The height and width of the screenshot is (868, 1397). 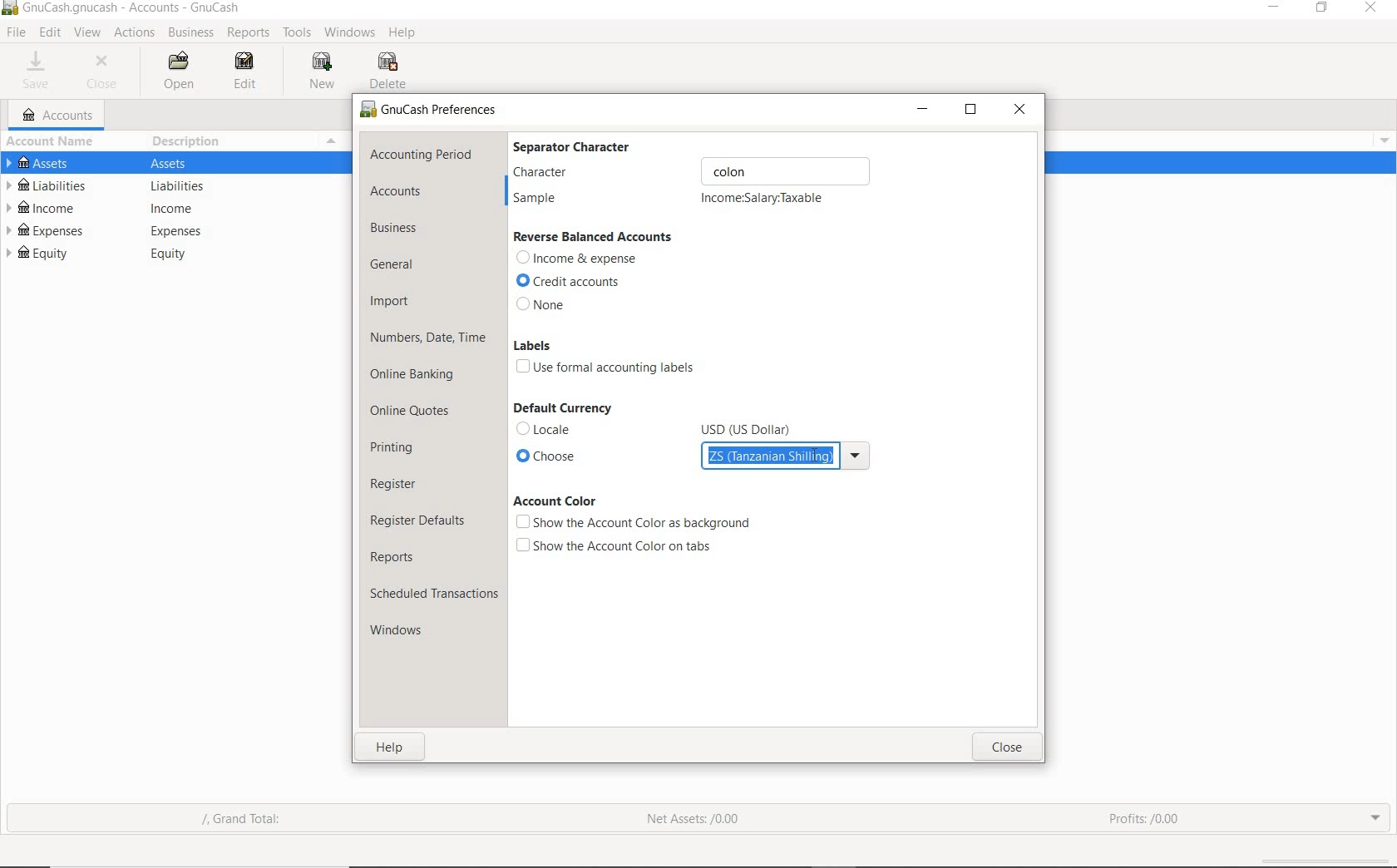 I want to click on DELETE, so click(x=392, y=71).